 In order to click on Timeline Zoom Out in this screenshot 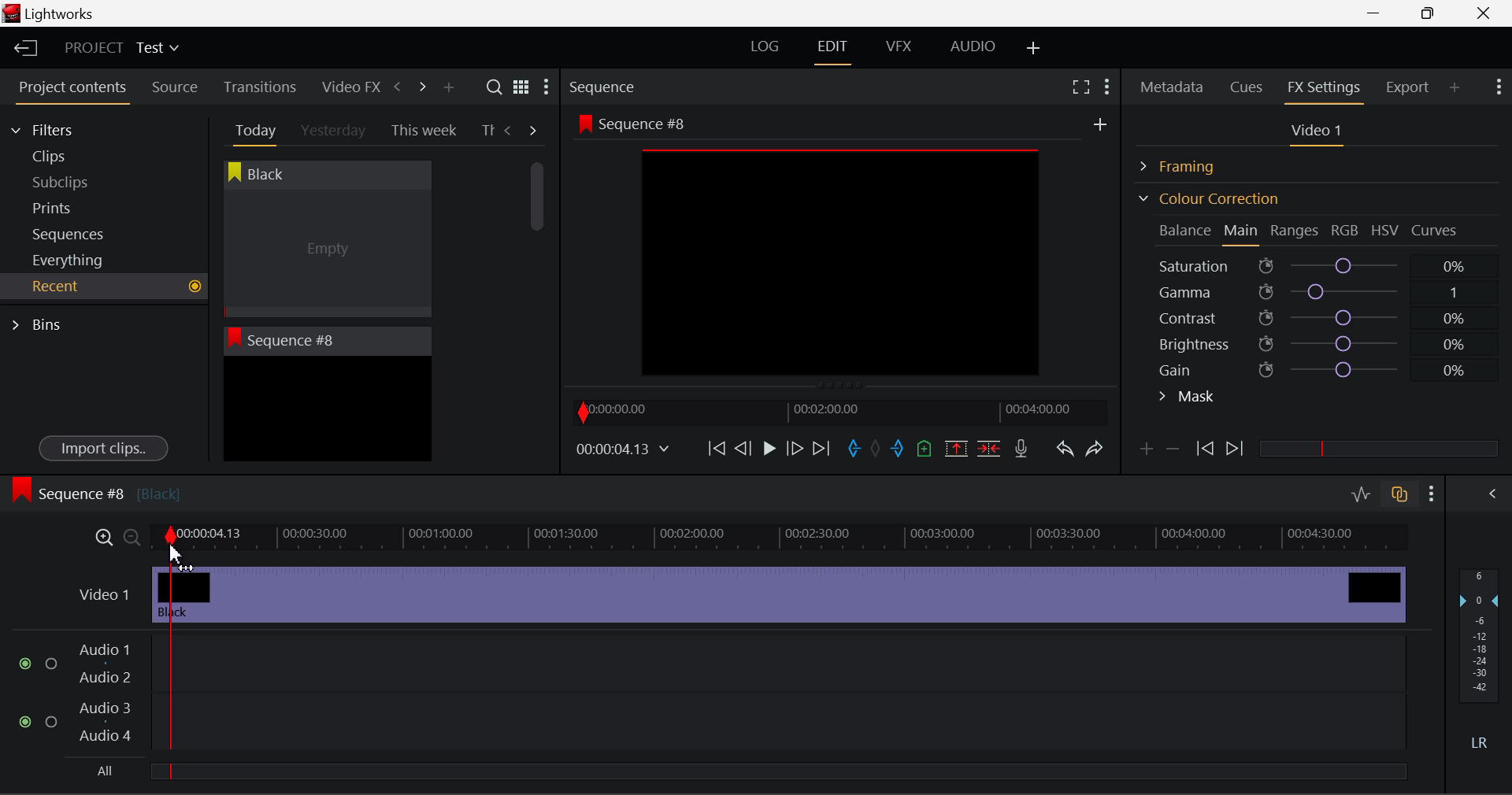, I will do `click(131, 537)`.